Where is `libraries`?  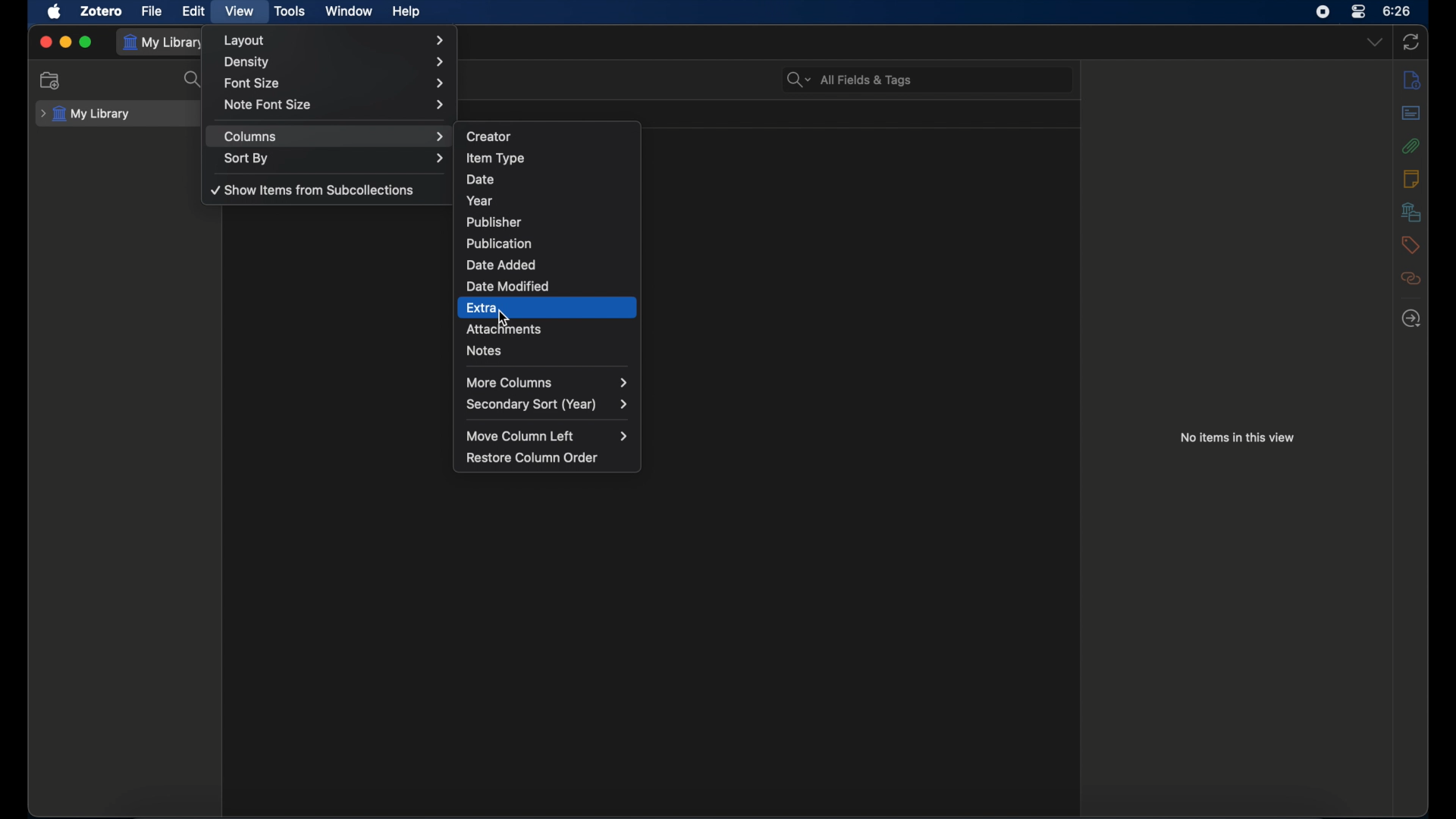 libraries is located at coordinates (1410, 212).